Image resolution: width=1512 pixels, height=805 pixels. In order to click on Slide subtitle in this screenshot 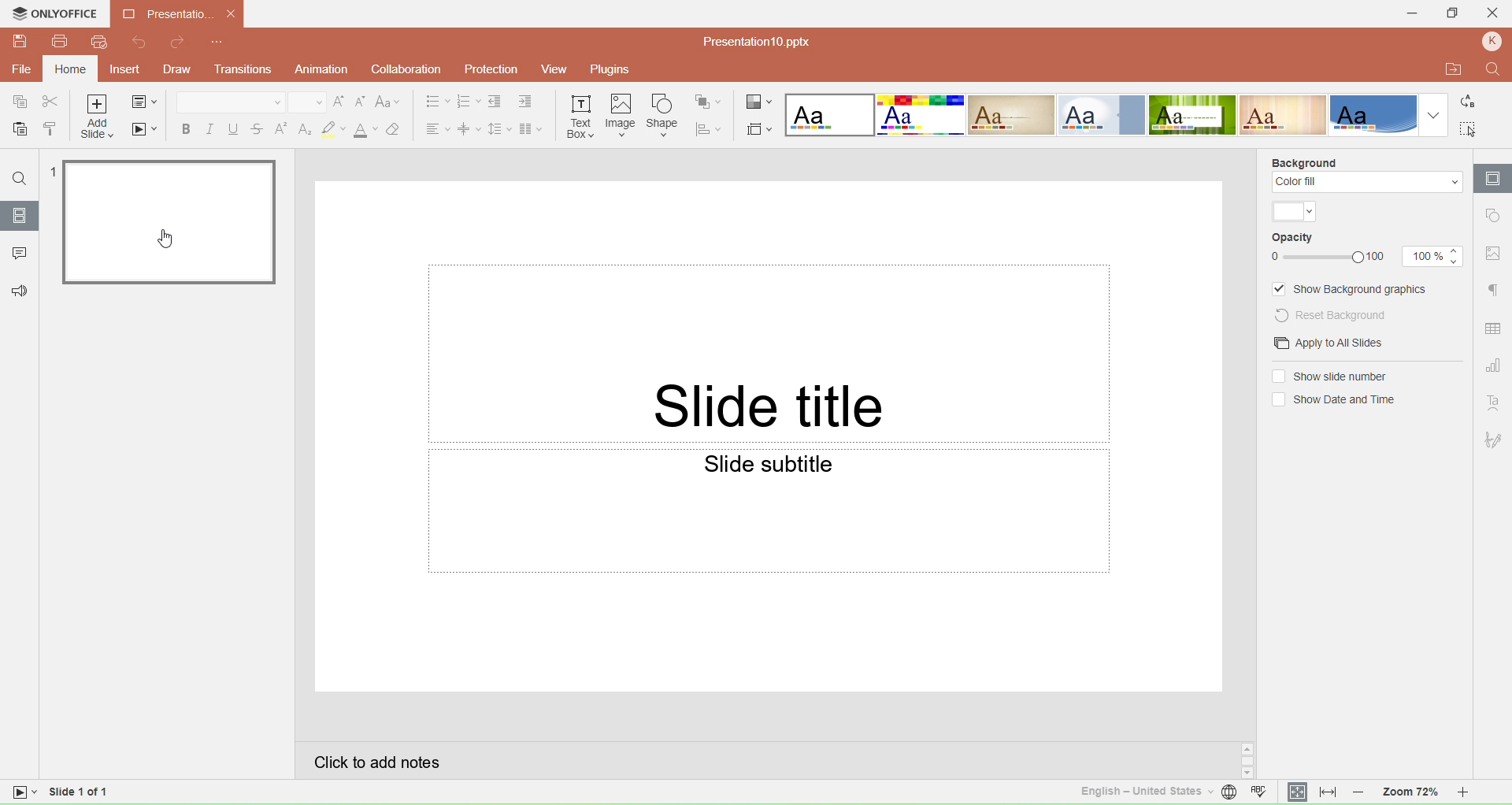, I will do `click(770, 511)`.